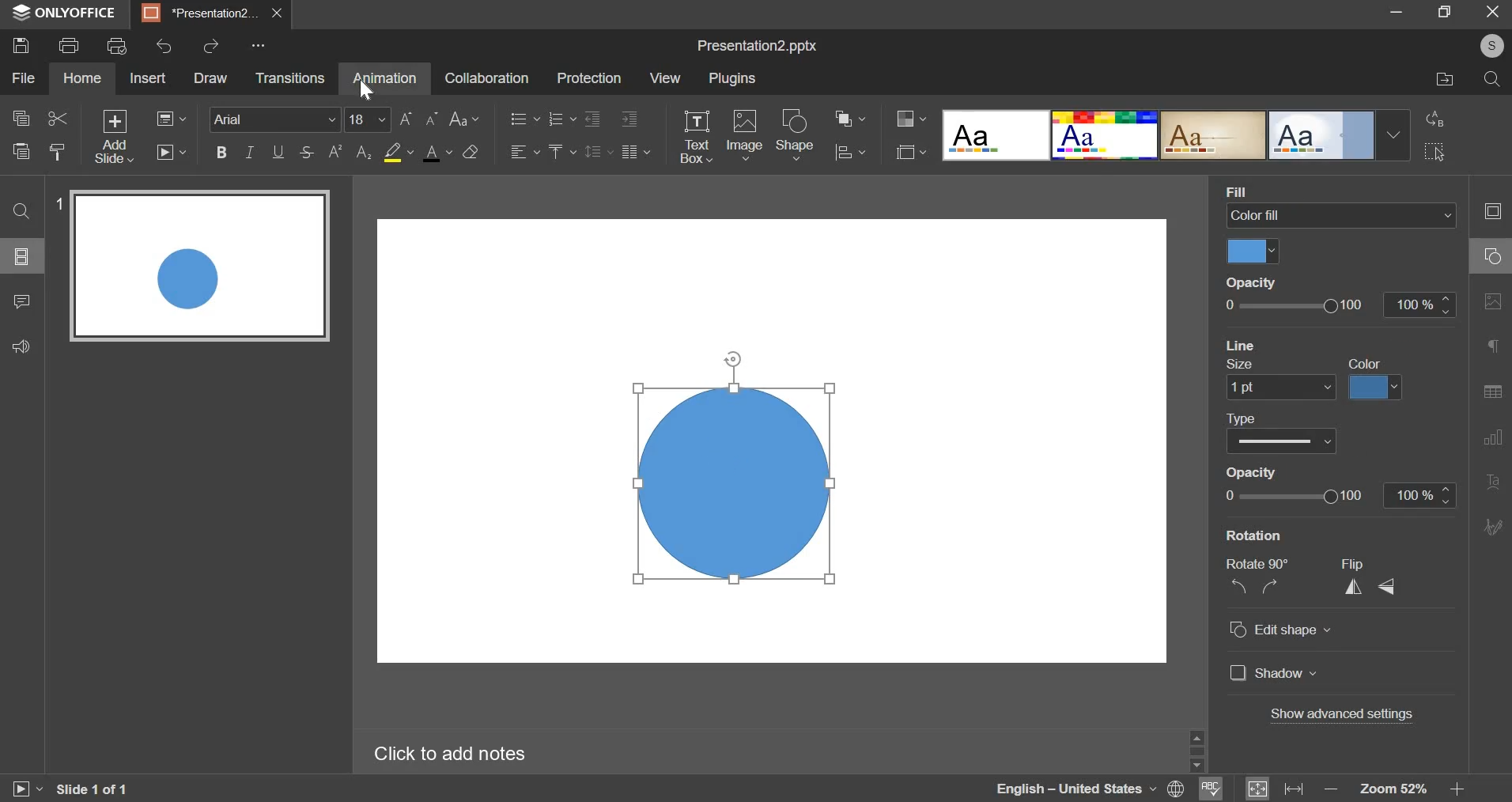  Describe the element at coordinates (1370, 579) in the screenshot. I see `flip` at that location.